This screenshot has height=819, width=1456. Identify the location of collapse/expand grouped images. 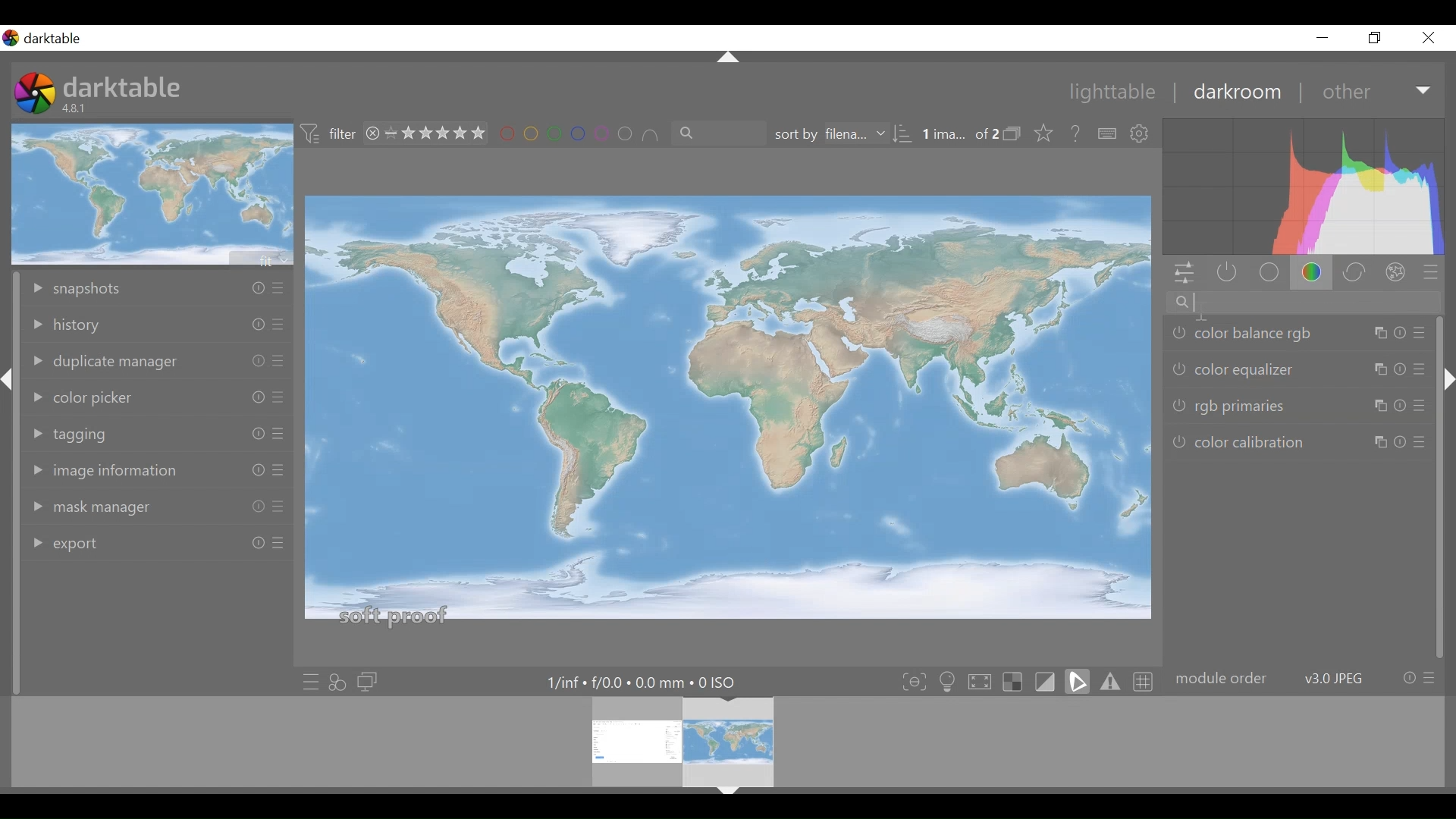
(1016, 135).